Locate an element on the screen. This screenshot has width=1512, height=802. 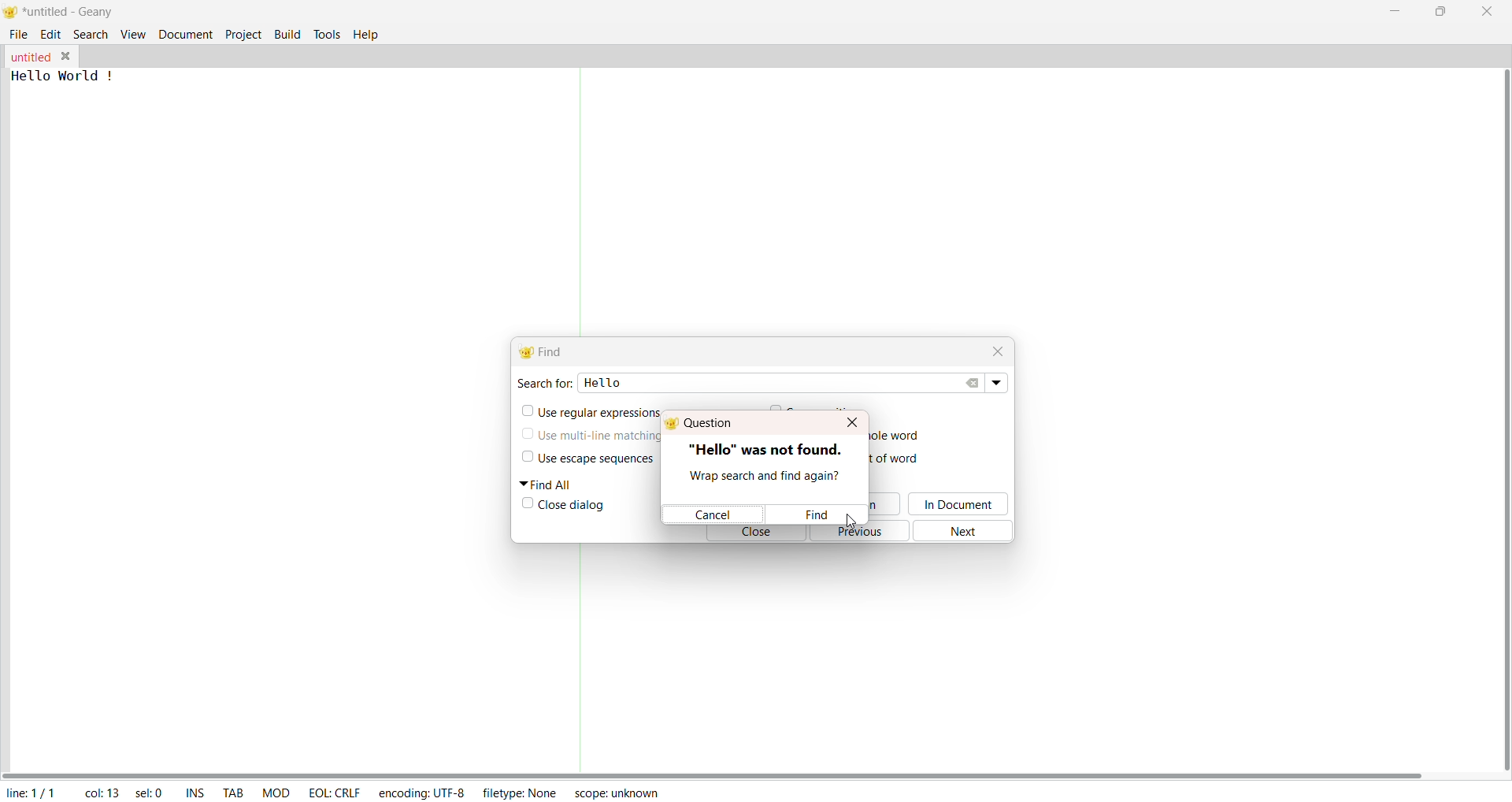
Logo is located at coordinates (13, 13).